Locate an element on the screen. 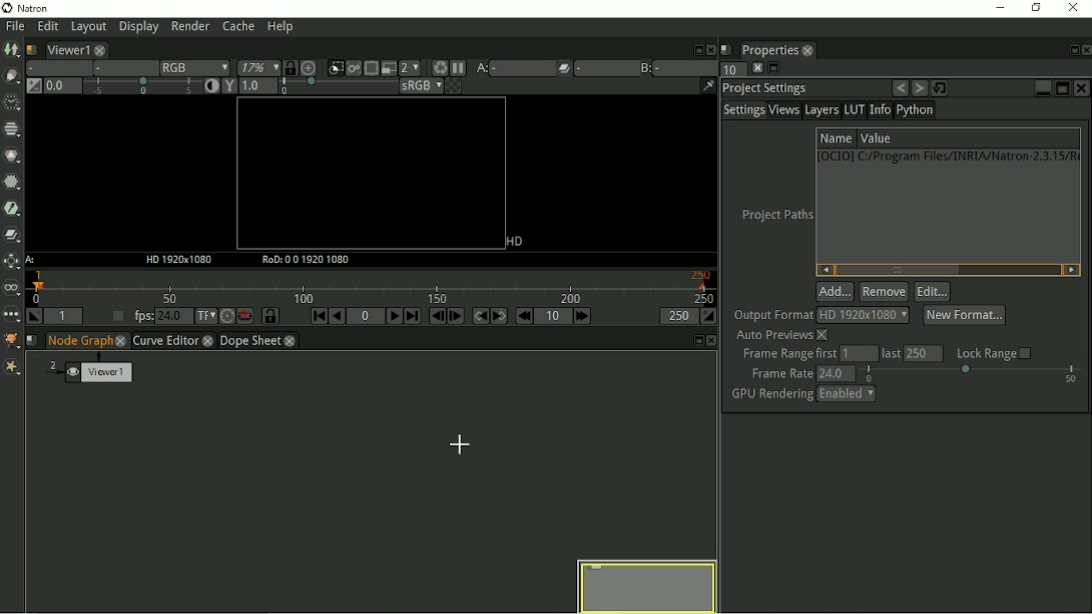 Image resolution: width=1092 pixels, height=614 pixels. Auto contrast is located at coordinates (207, 87).